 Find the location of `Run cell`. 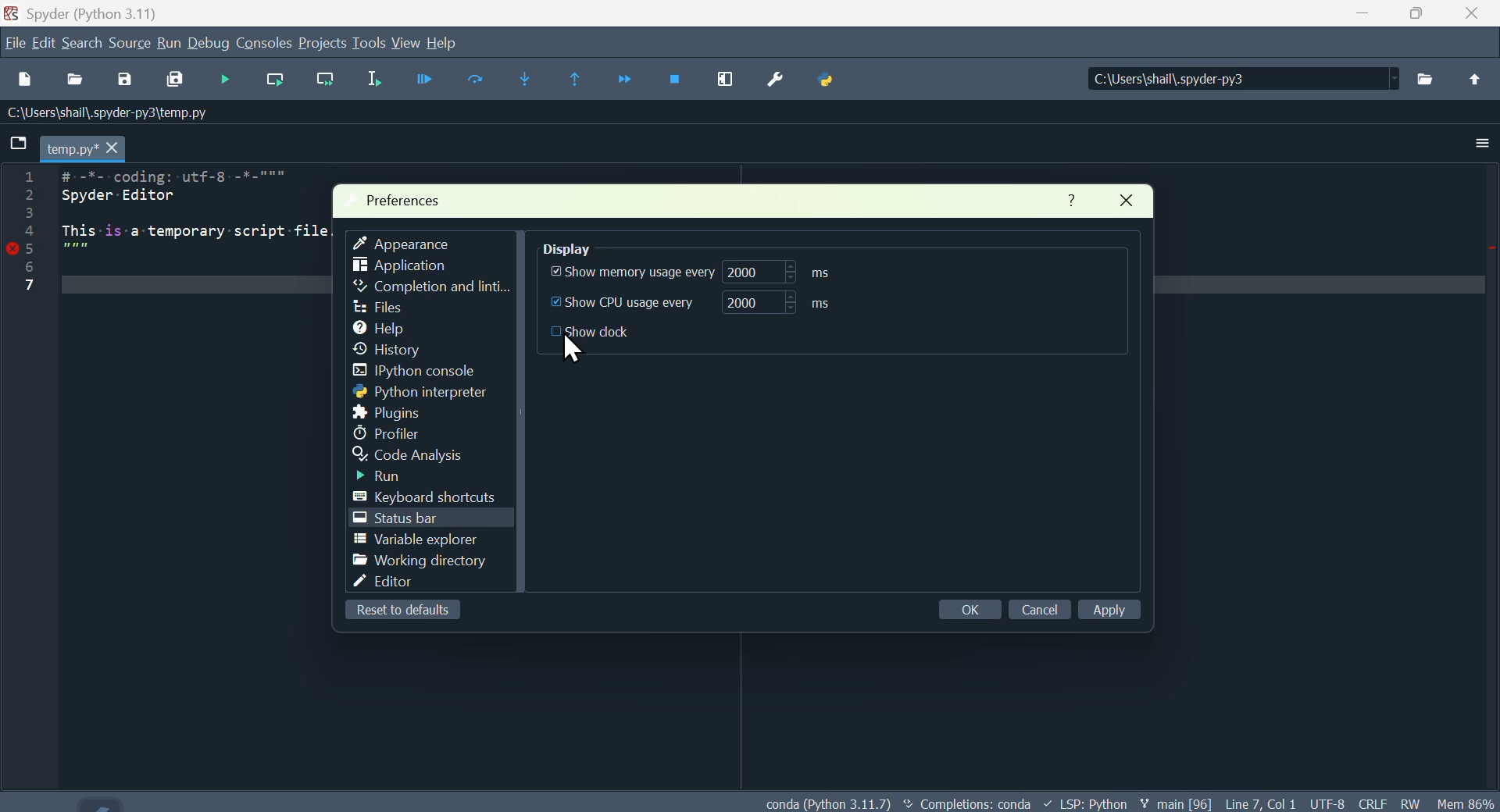

Run cell is located at coordinates (477, 81).